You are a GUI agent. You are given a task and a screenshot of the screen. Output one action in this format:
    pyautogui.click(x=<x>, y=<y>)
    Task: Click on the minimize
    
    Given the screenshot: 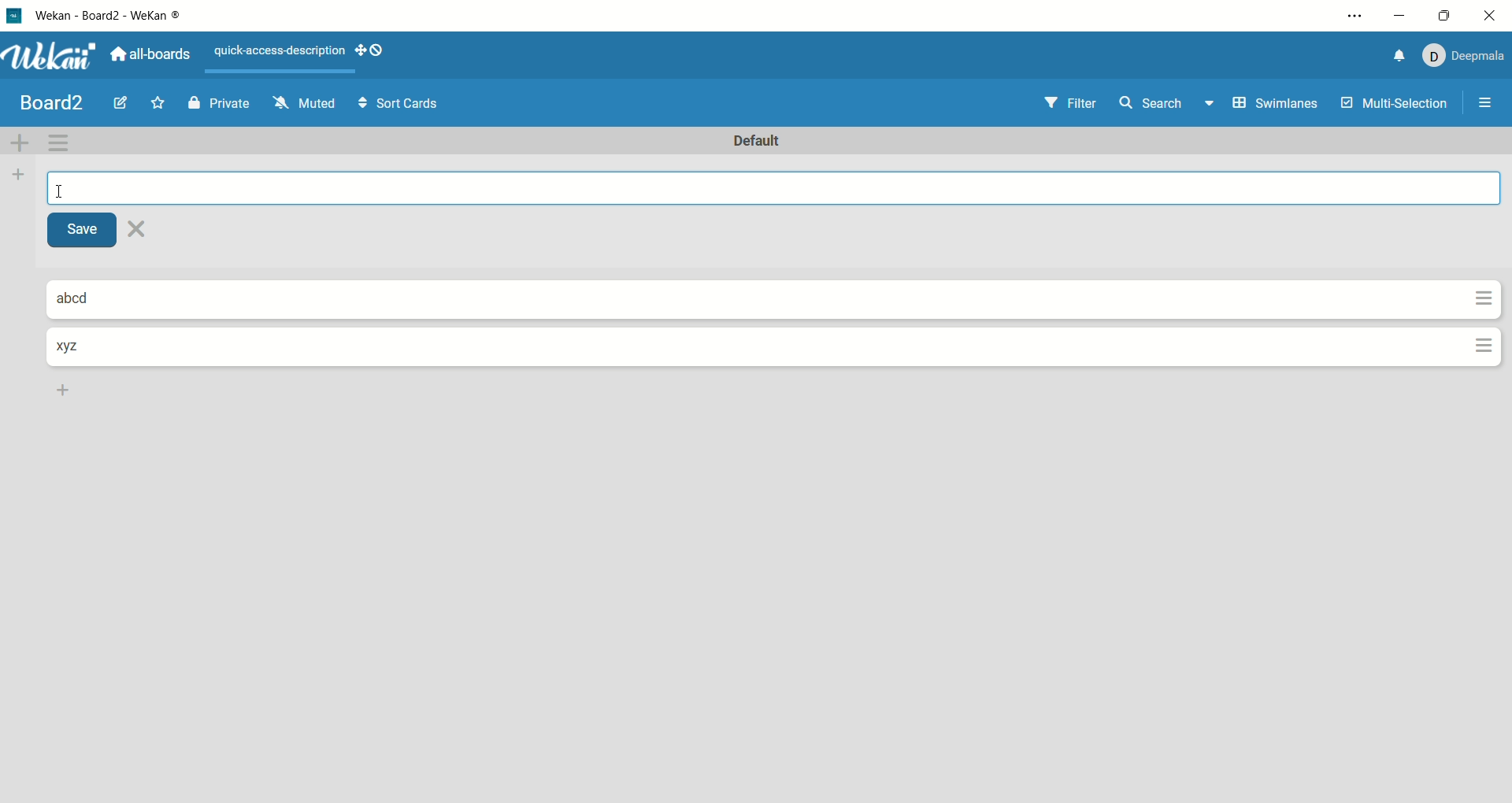 What is the action you would take?
    pyautogui.click(x=1401, y=13)
    